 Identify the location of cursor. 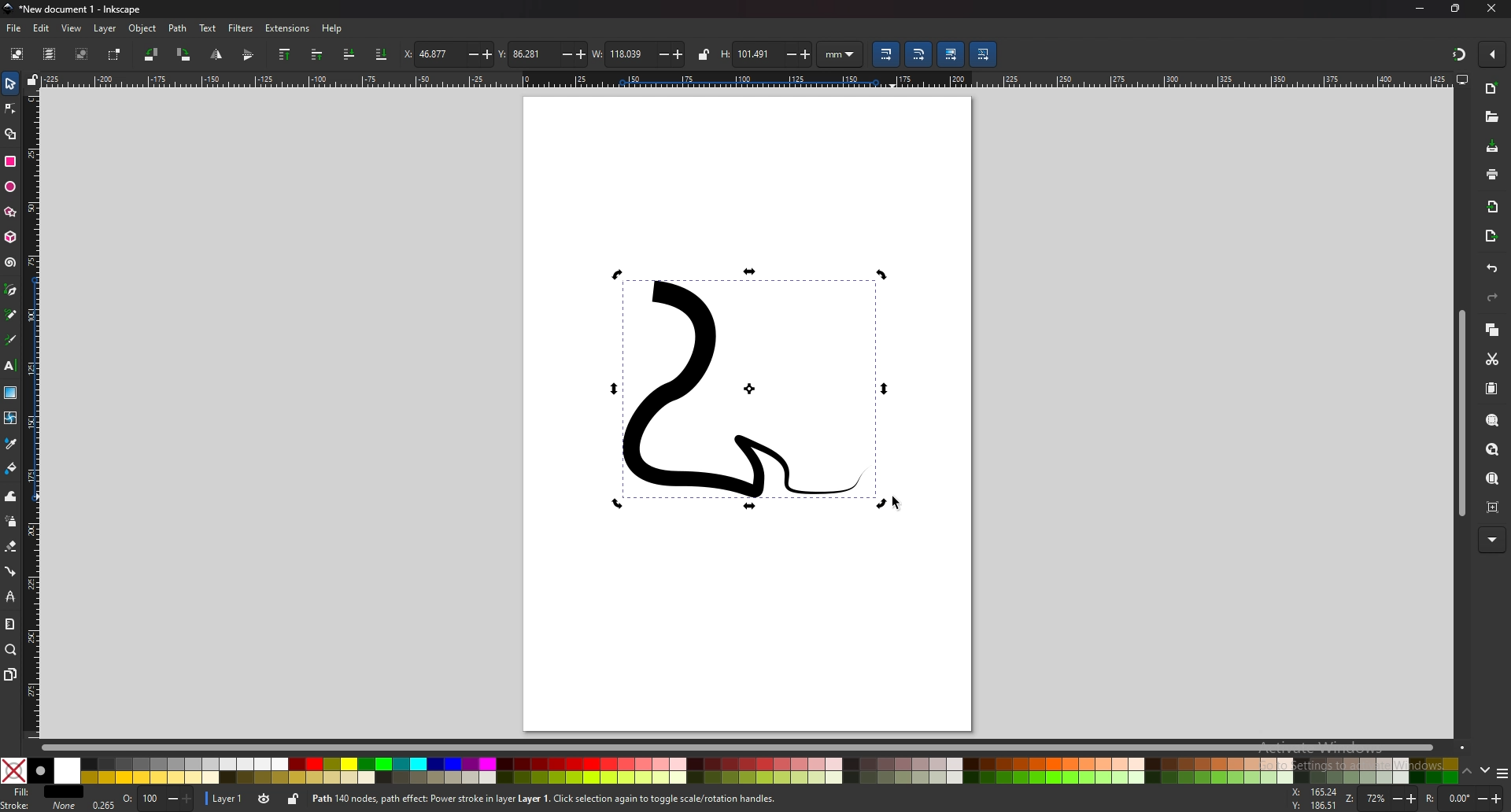
(894, 502).